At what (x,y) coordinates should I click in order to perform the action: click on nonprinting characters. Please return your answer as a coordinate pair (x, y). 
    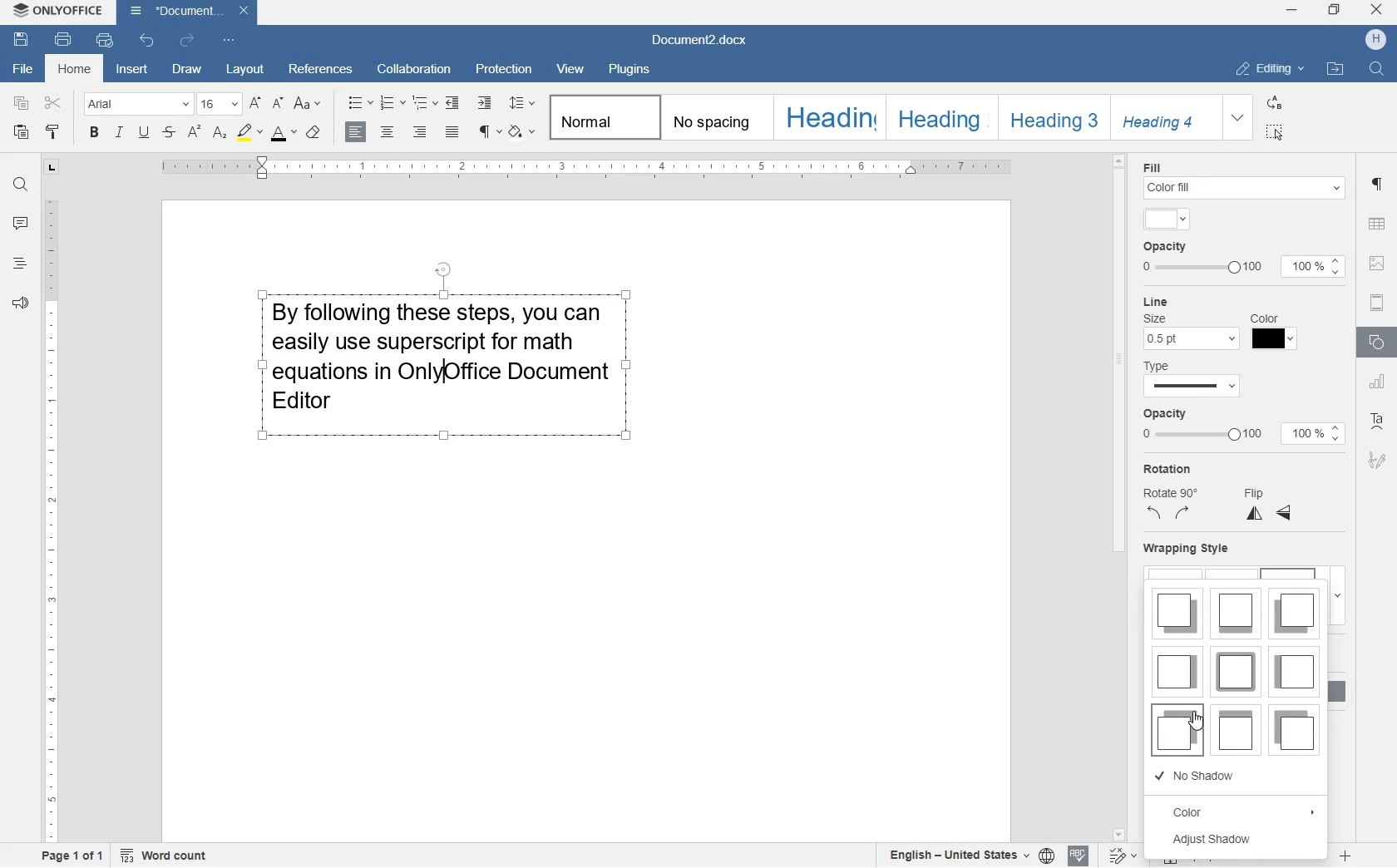
    Looking at the image, I should click on (489, 131).